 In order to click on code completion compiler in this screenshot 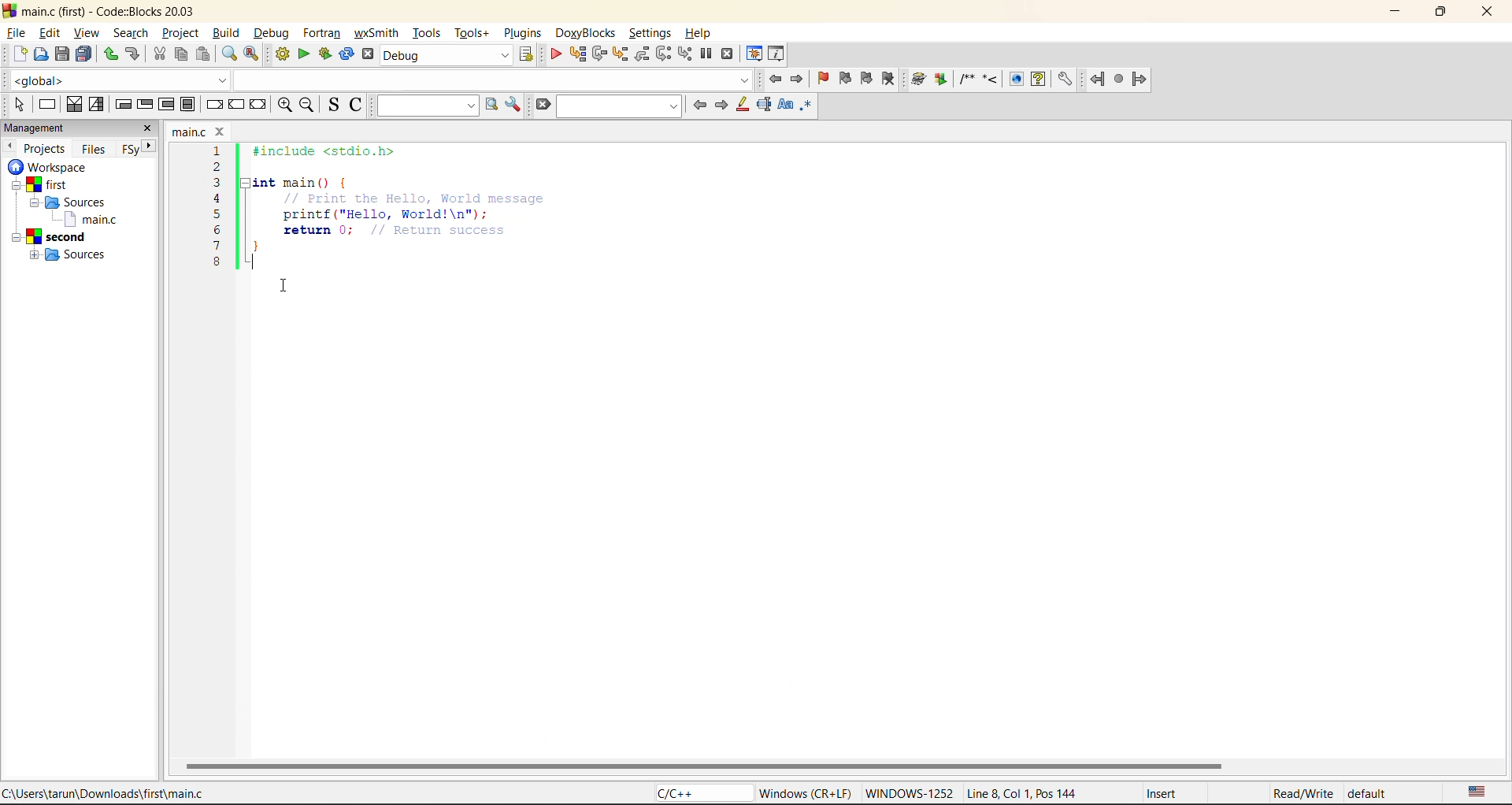, I will do `click(374, 80)`.